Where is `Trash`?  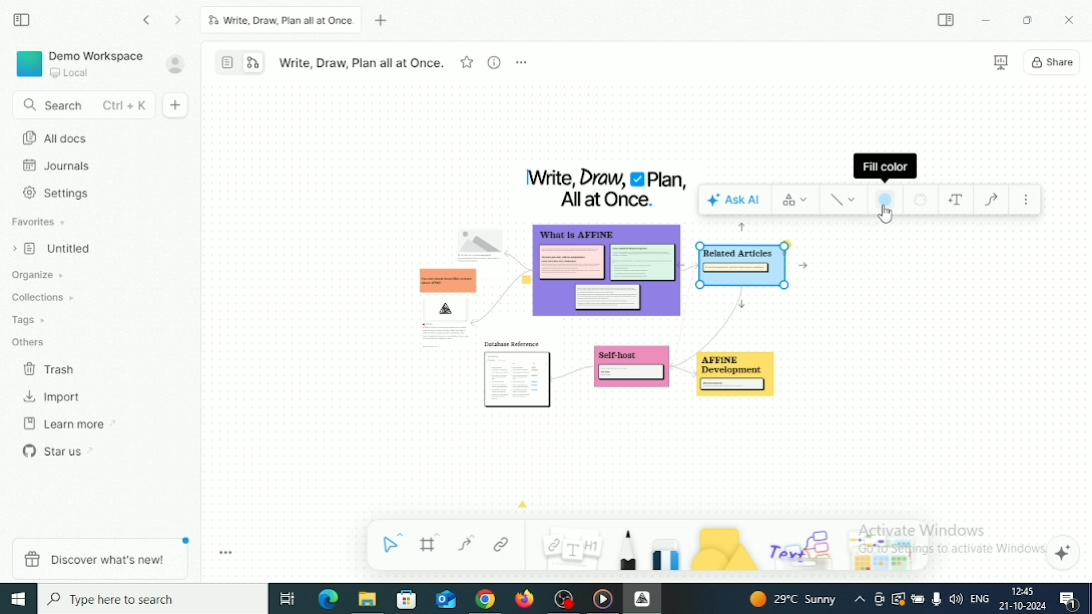 Trash is located at coordinates (51, 370).